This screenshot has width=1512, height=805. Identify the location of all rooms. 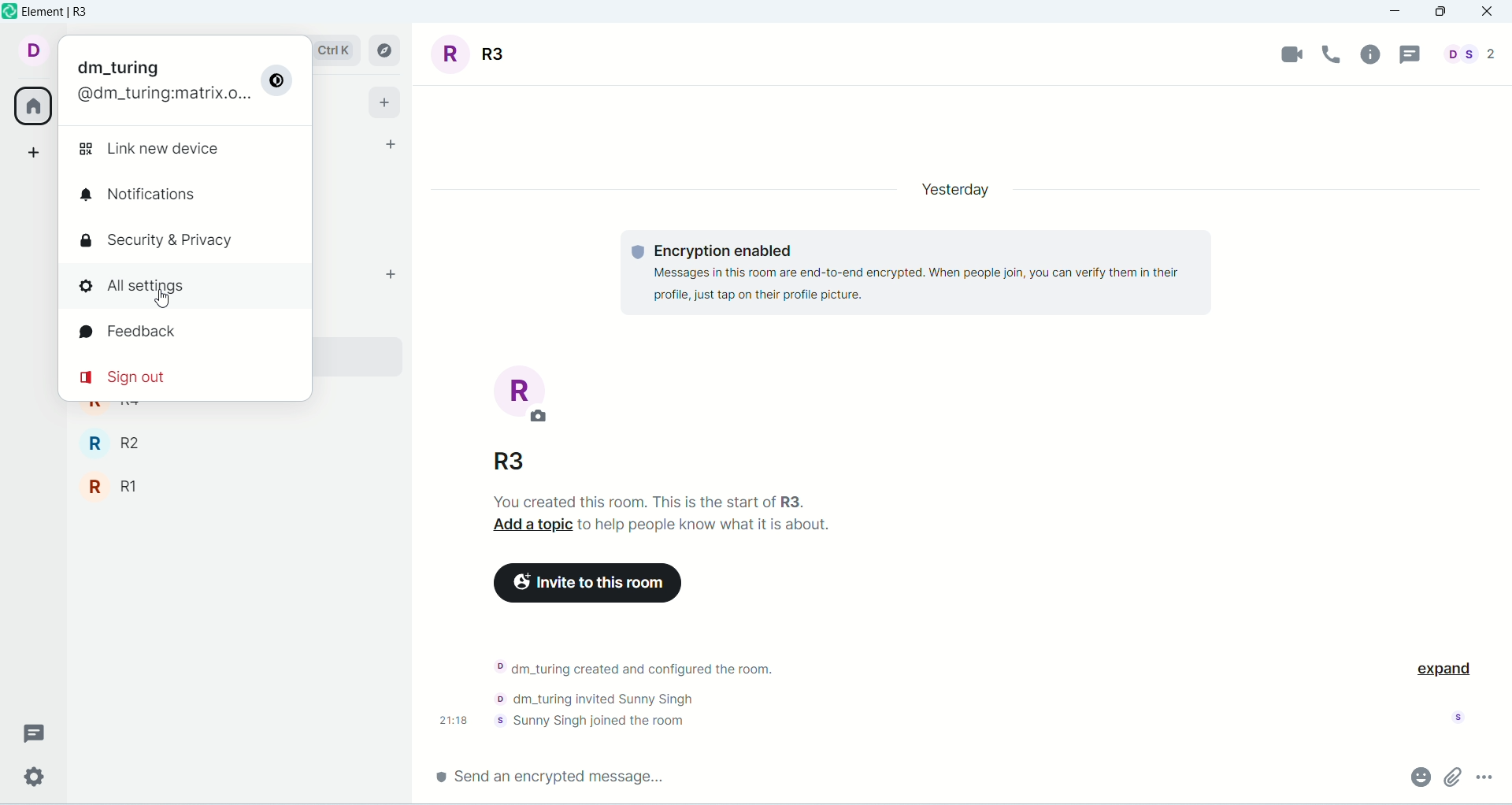
(29, 106).